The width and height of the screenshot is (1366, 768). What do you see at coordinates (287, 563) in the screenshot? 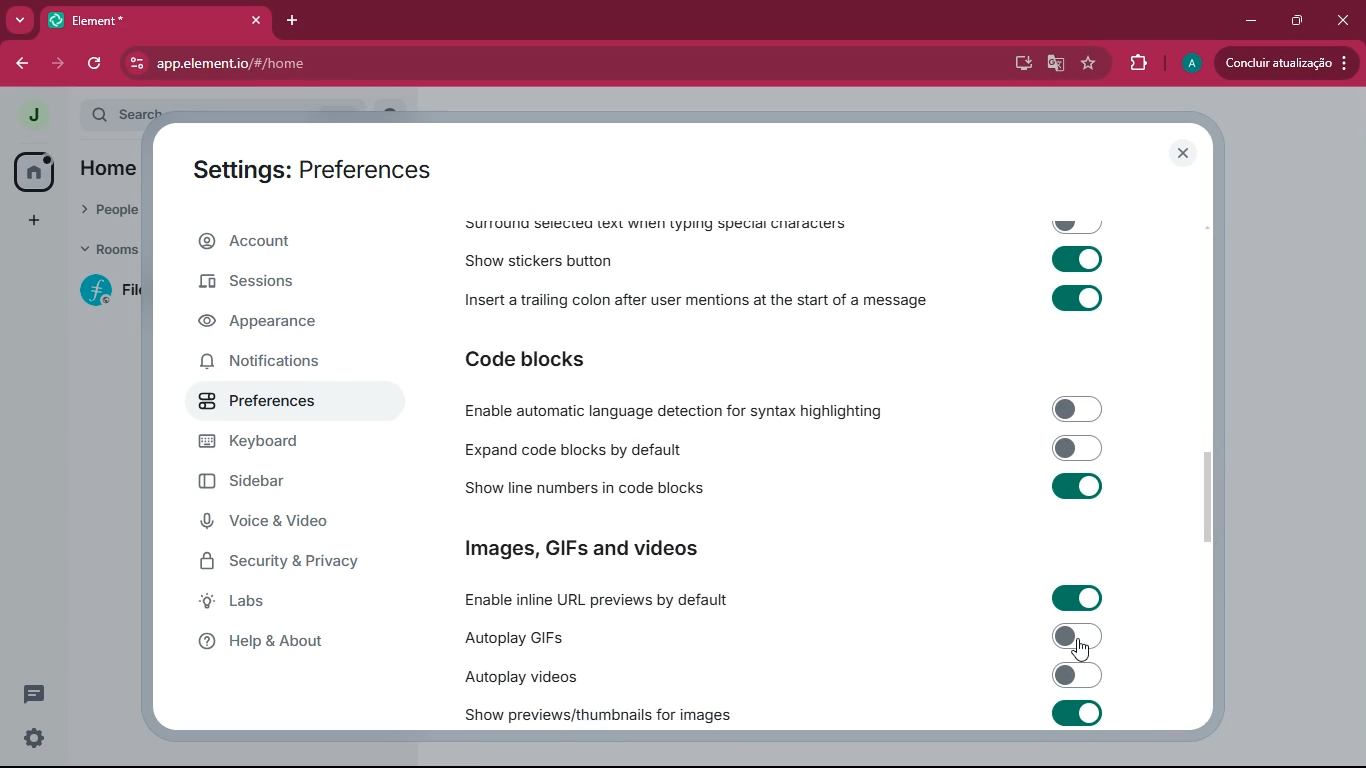
I see `security & Privacy` at bounding box center [287, 563].